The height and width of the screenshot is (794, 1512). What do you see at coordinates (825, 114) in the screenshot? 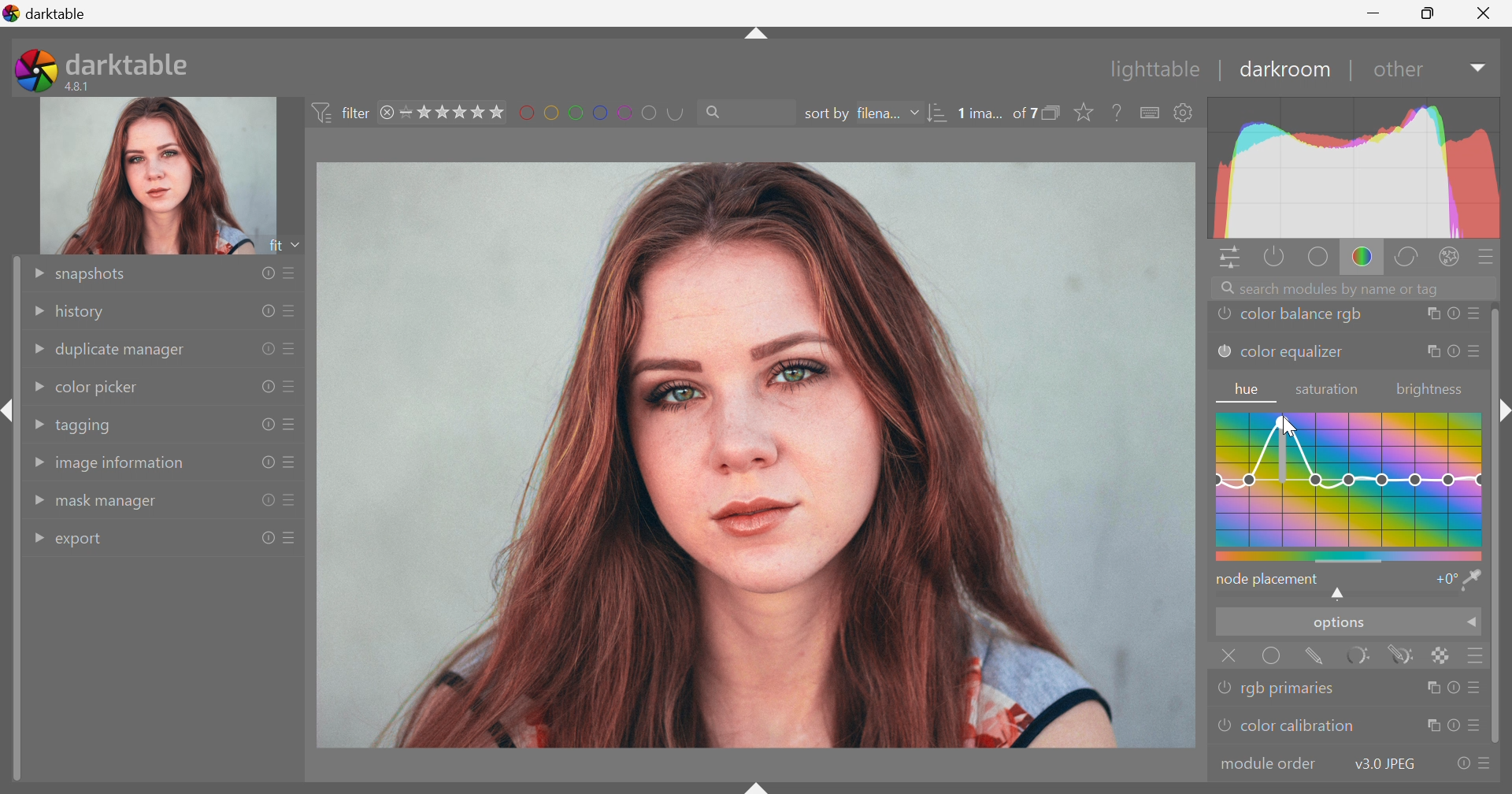
I see `sort by` at bounding box center [825, 114].